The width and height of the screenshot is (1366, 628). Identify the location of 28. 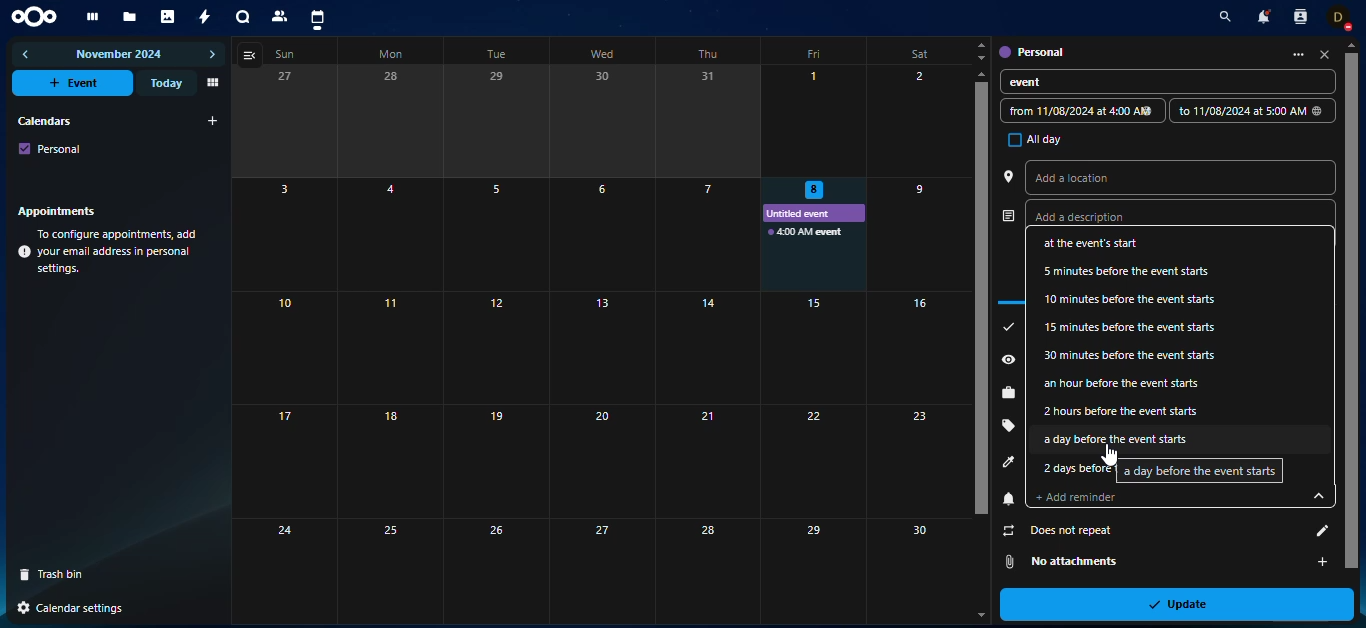
(391, 120).